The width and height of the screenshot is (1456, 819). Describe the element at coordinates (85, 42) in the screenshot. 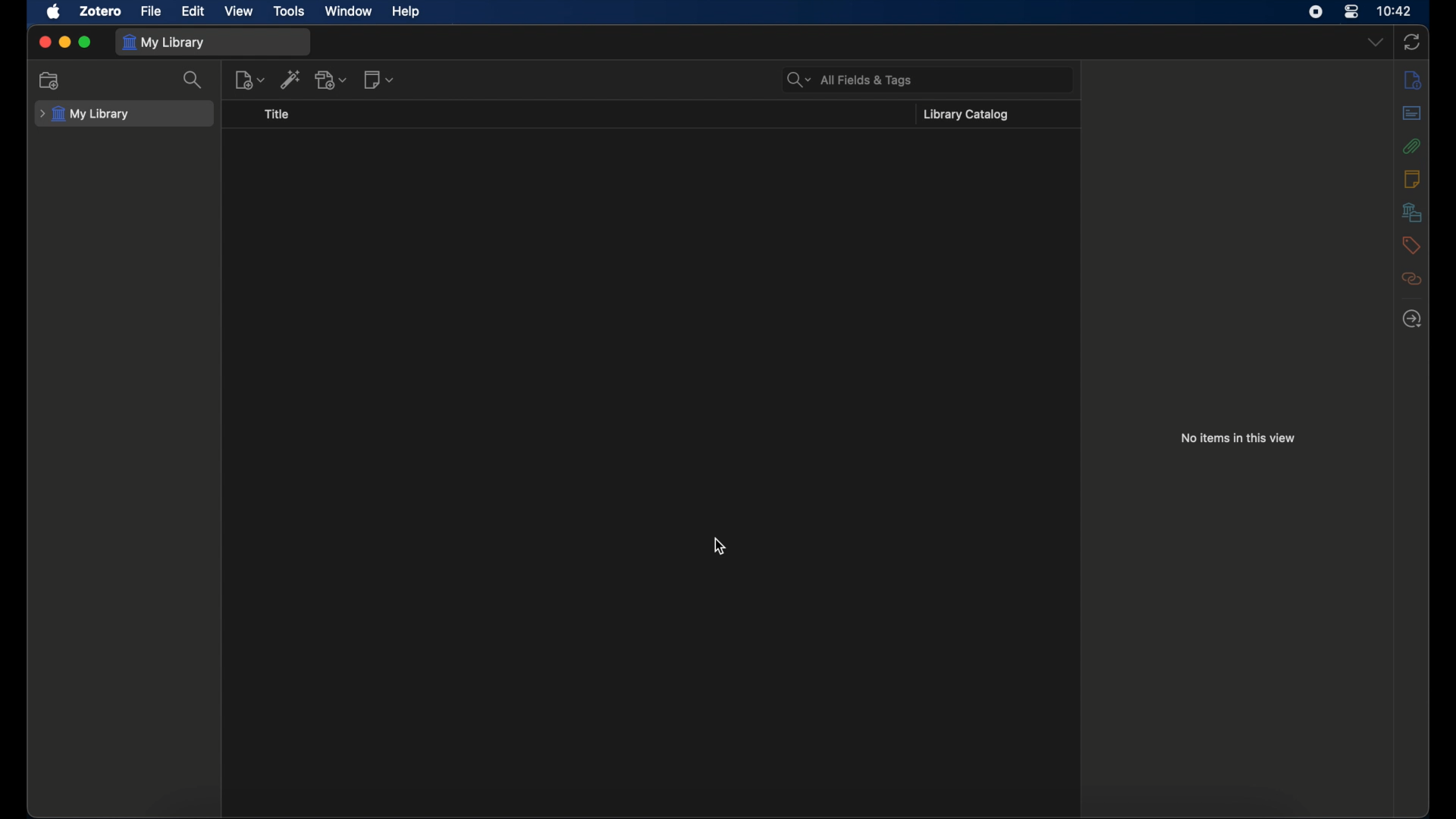

I see `maximize` at that location.